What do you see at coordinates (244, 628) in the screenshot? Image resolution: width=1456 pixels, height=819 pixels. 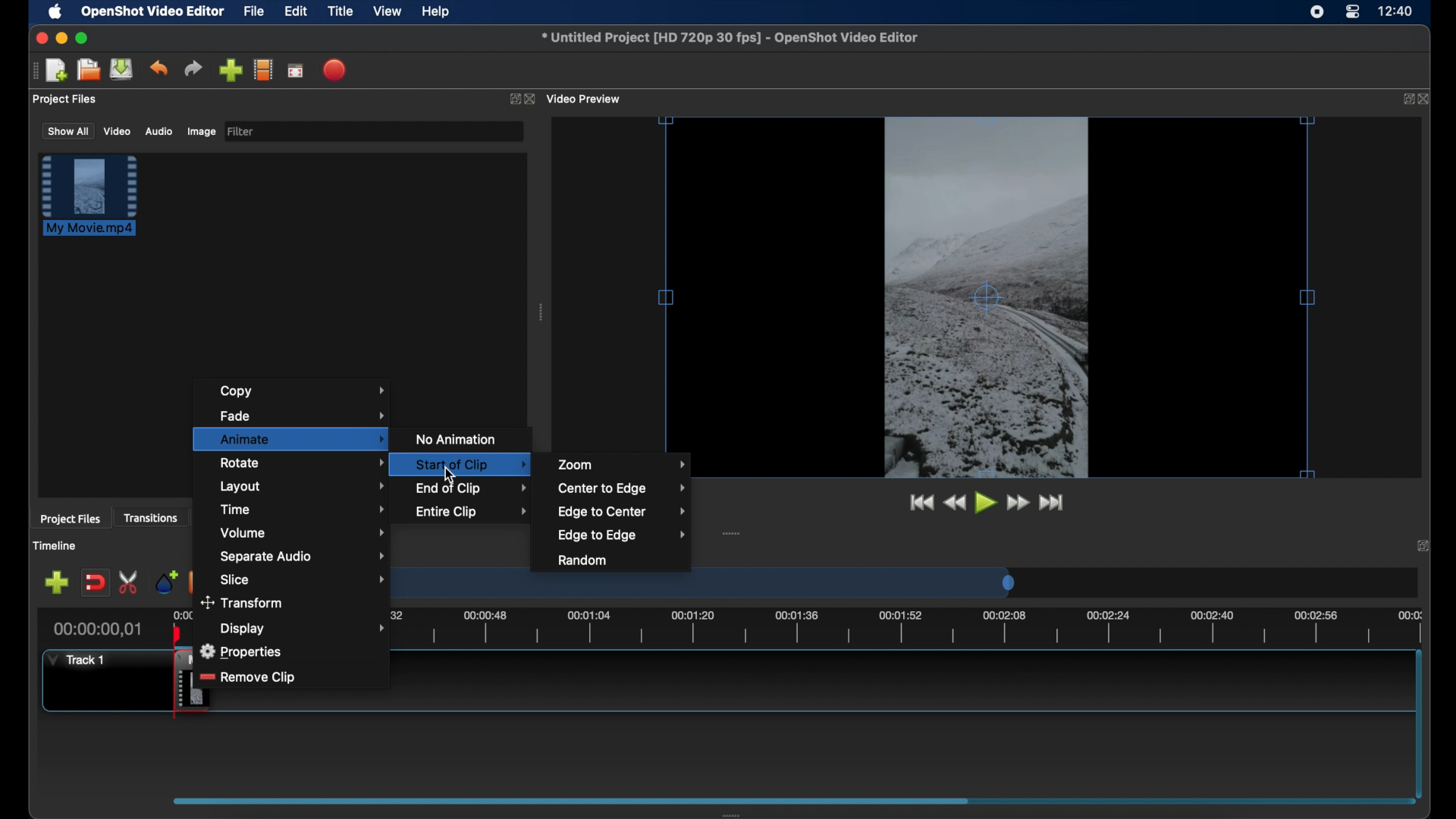 I see `Display` at bounding box center [244, 628].